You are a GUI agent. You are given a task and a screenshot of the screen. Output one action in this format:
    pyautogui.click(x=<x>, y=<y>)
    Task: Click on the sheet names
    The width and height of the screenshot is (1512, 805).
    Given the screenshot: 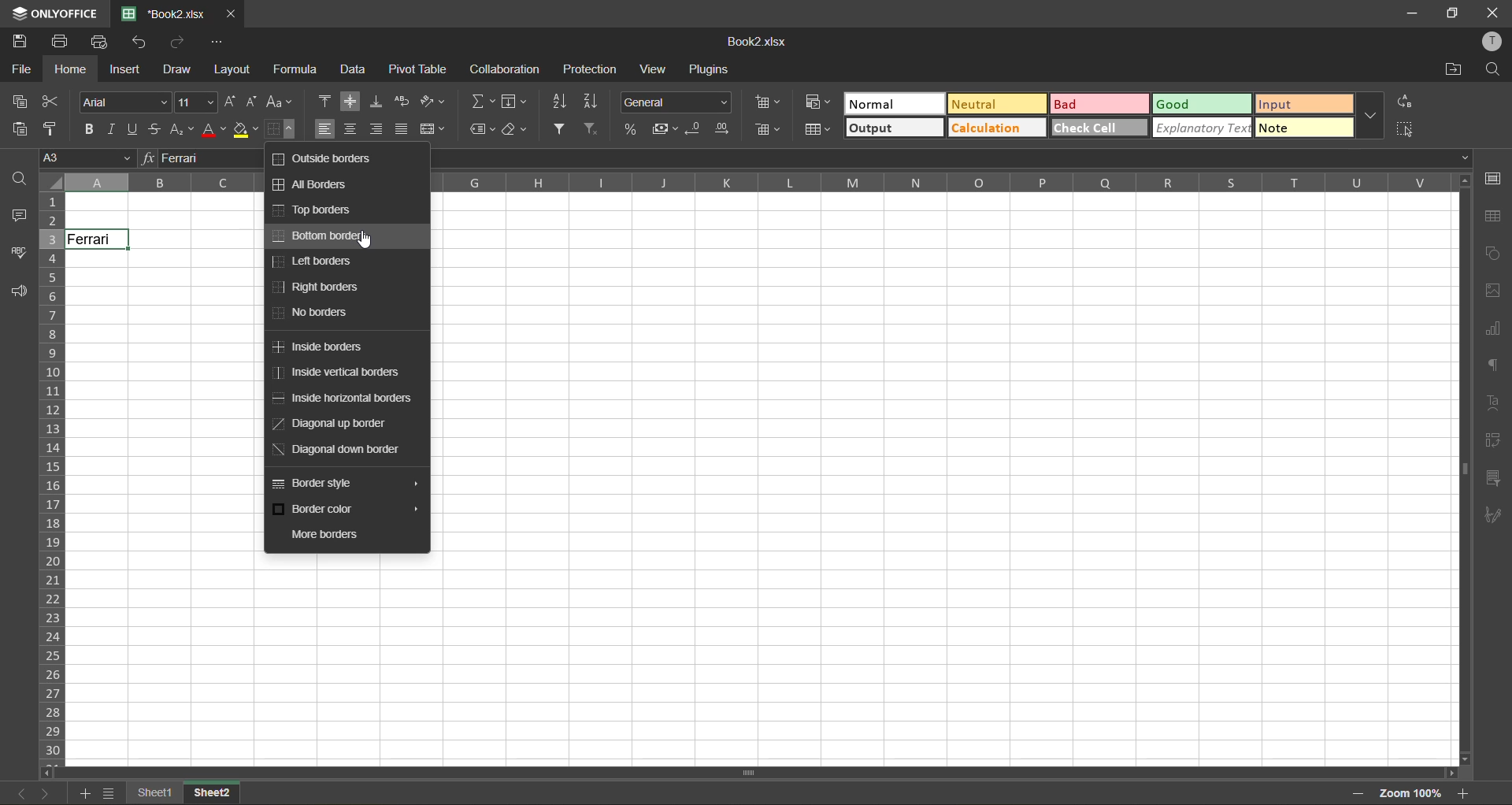 What is the action you would take?
    pyautogui.click(x=154, y=793)
    